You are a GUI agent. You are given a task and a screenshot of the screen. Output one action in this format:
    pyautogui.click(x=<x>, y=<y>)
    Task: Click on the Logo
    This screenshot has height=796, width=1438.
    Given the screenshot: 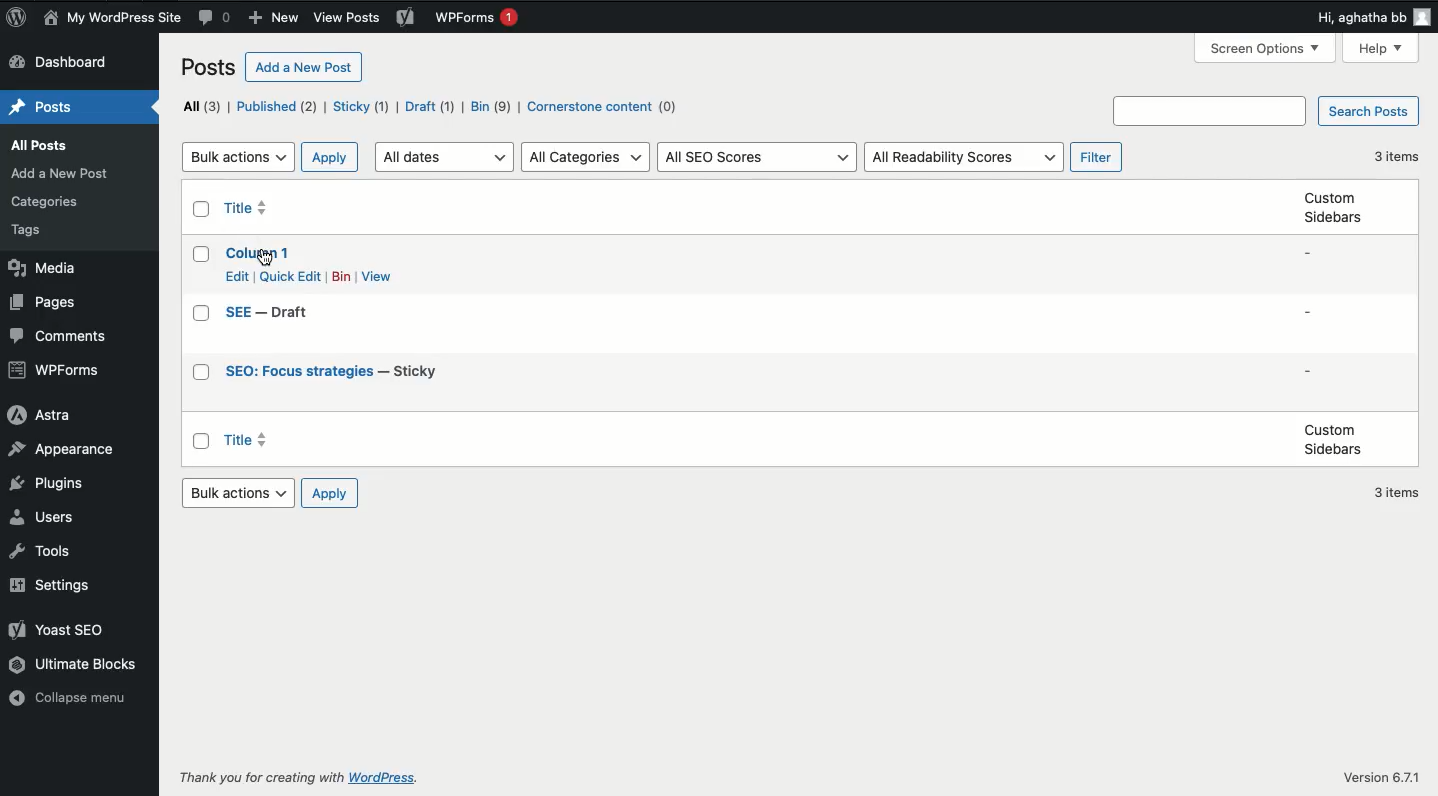 What is the action you would take?
    pyautogui.click(x=16, y=16)
    